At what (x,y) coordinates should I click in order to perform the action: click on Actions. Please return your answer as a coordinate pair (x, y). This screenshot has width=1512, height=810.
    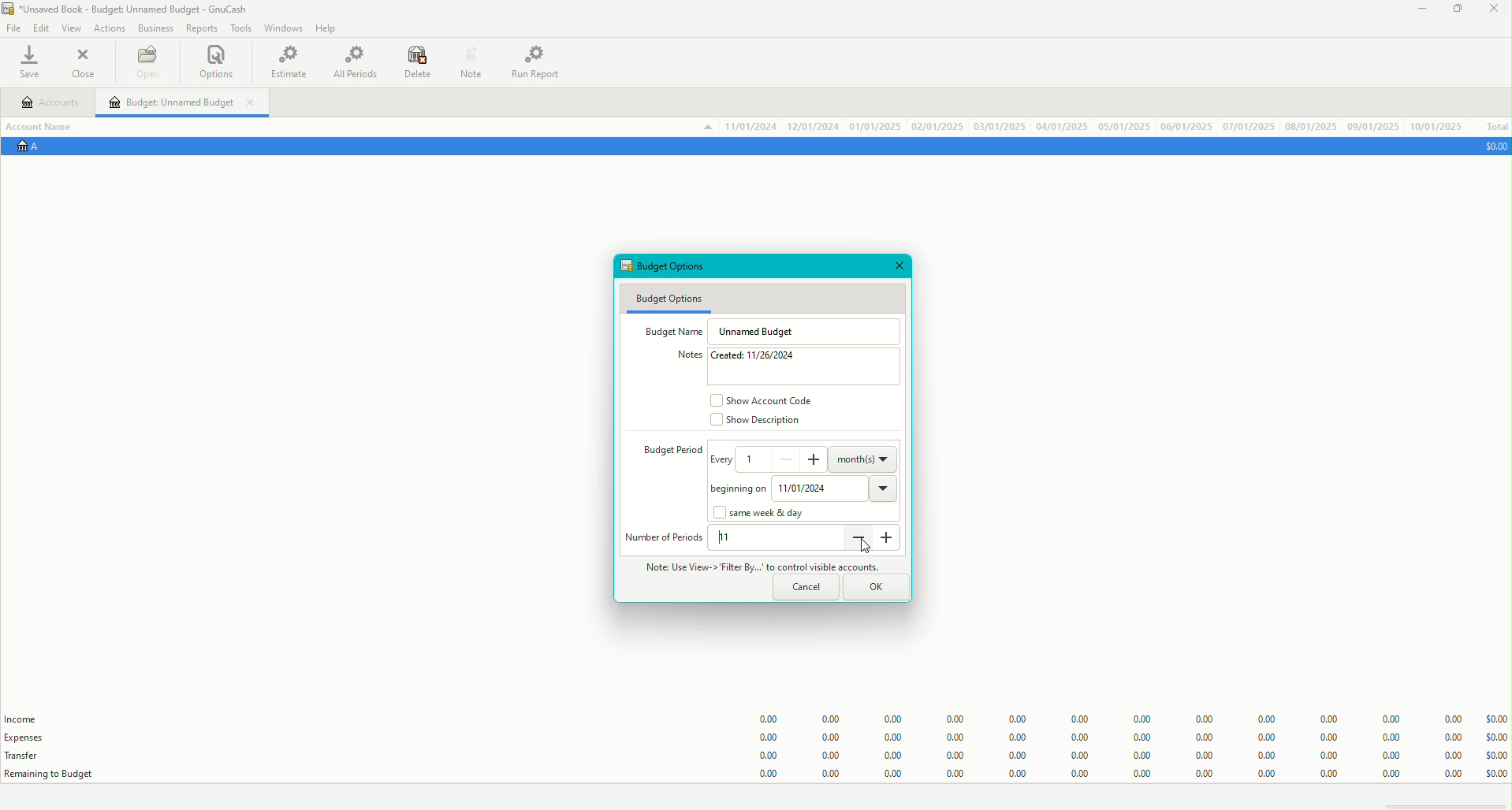
    Looking at the image, I should click on (109, 28).